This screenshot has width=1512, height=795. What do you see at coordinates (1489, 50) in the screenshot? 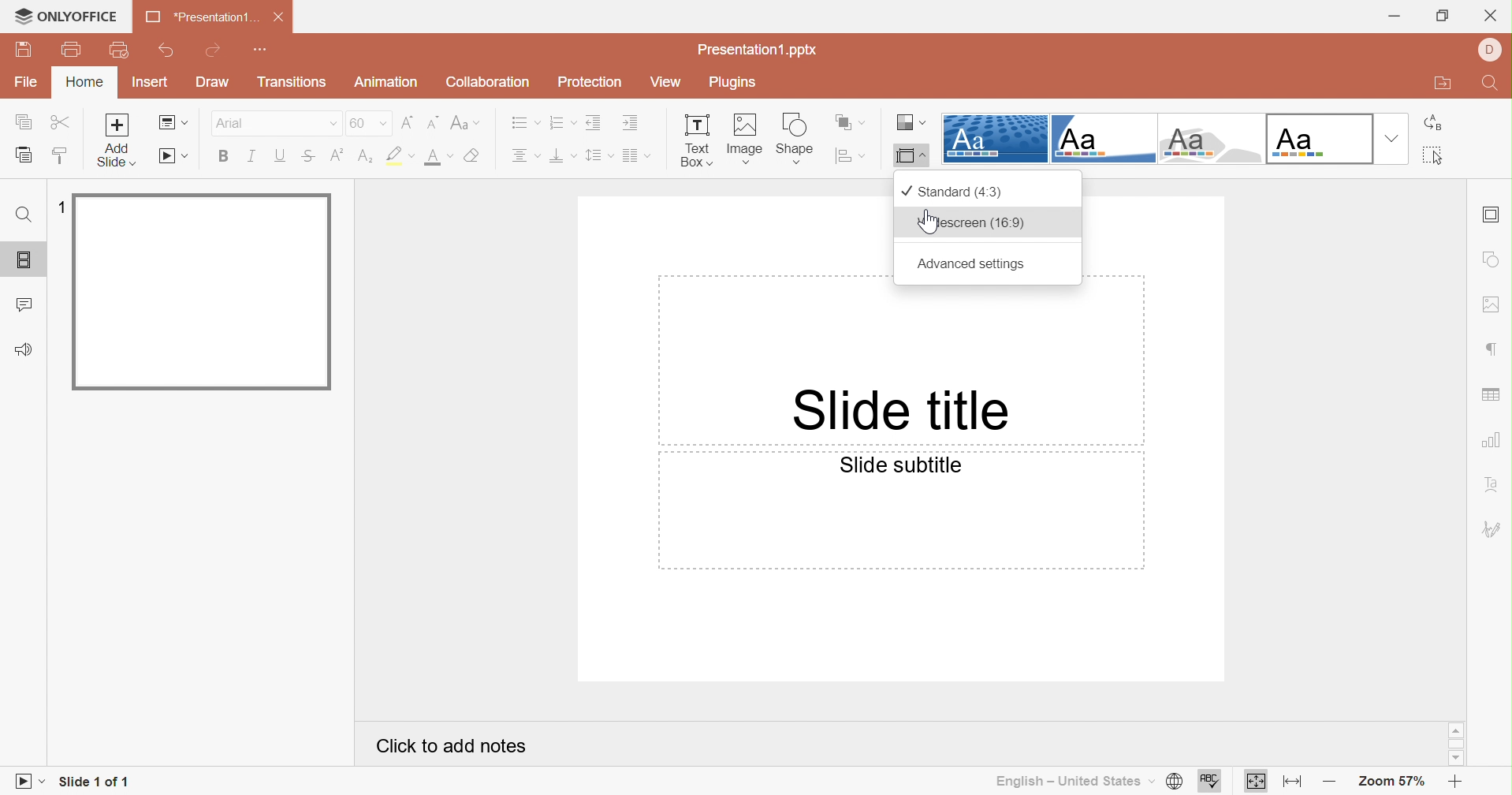
I see `DELL` at bounding box center [1489, 50].